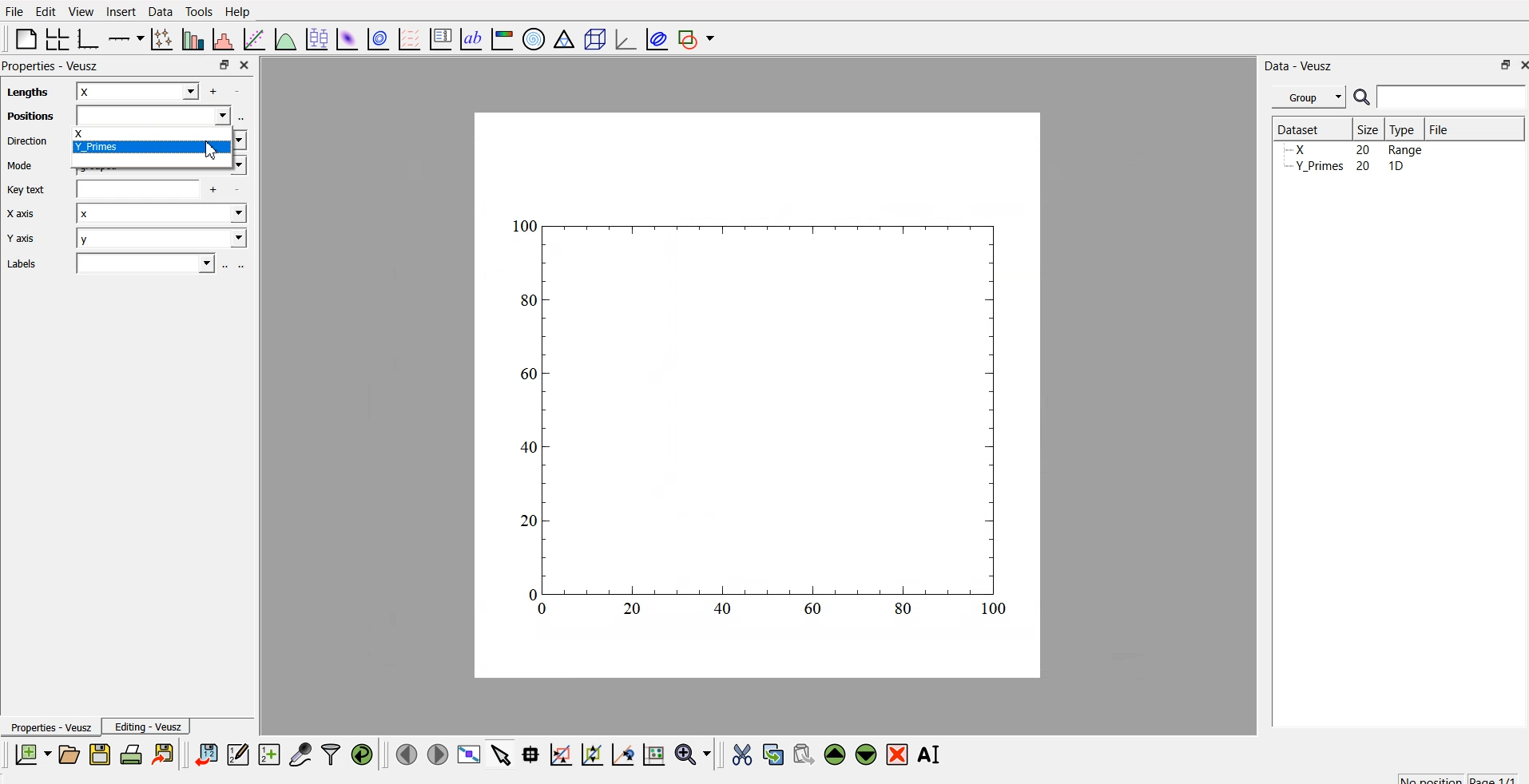 The image size is (1529, 784). What do you see at coordinates (68, 754) in the screenshot?
I see `open a document` at bounding box center [68, 754].